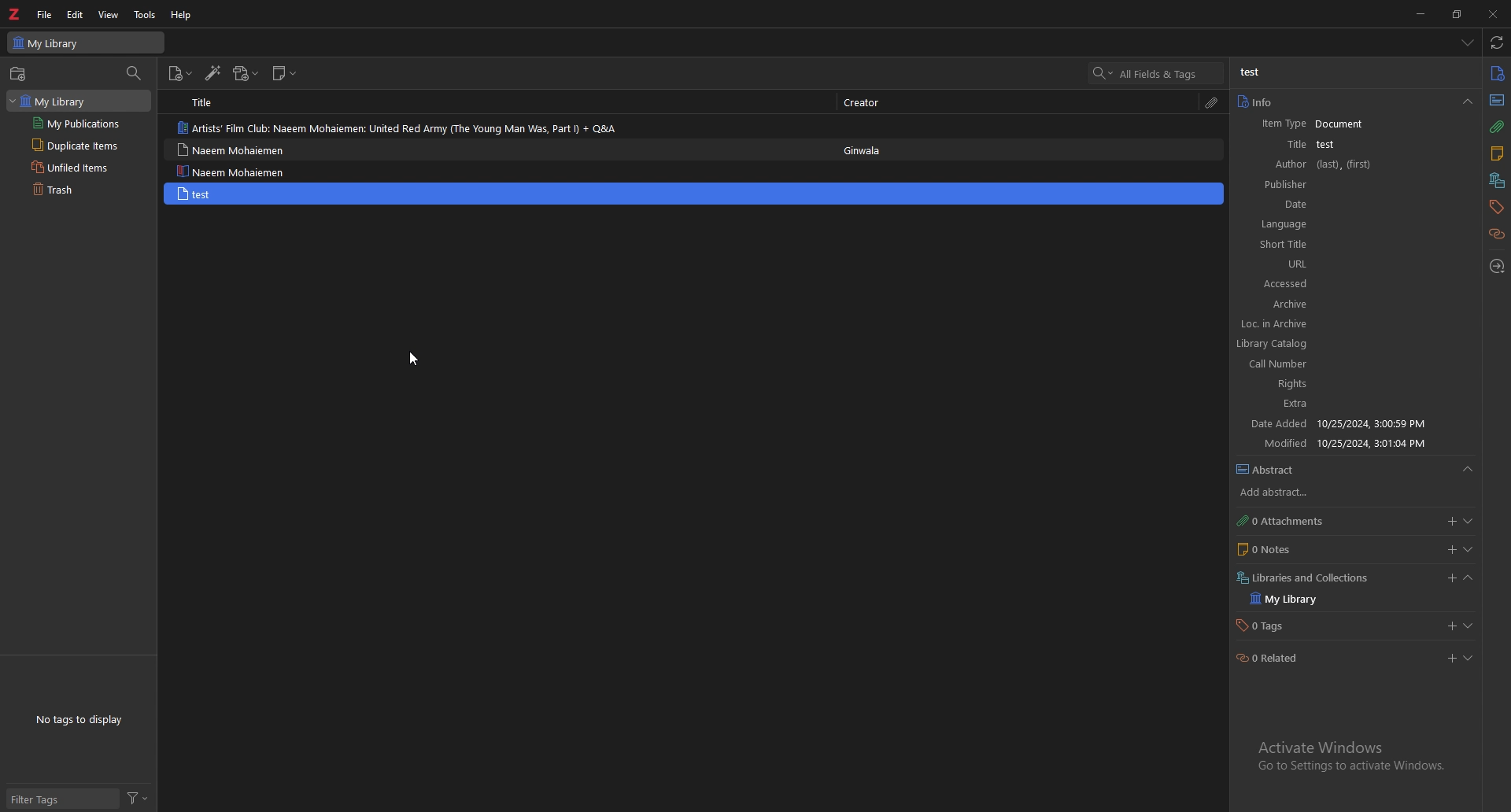  I want to click on test, so click(1251, 72).